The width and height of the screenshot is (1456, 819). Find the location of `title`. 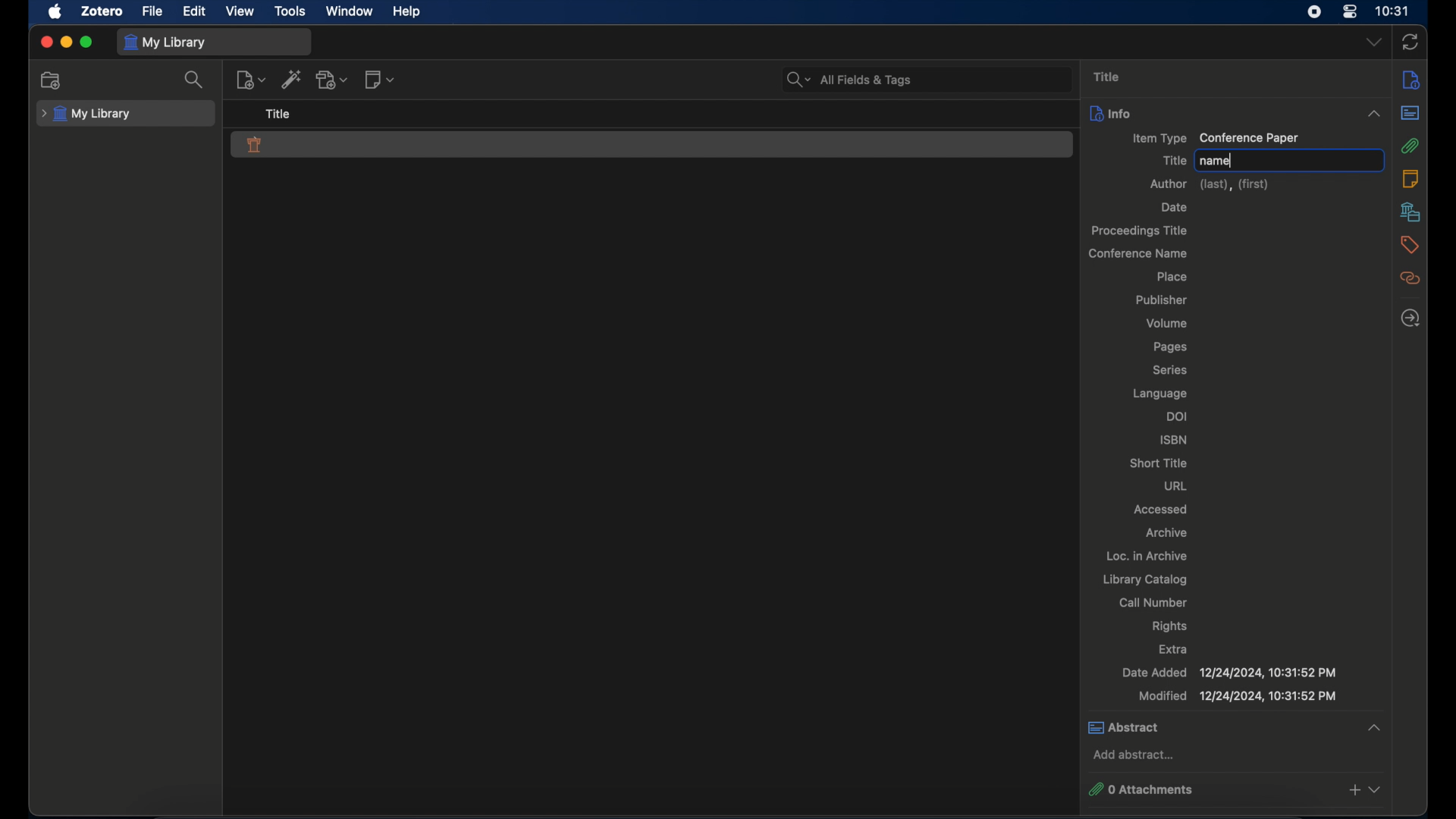

title is located at coordinates (1106, 77).